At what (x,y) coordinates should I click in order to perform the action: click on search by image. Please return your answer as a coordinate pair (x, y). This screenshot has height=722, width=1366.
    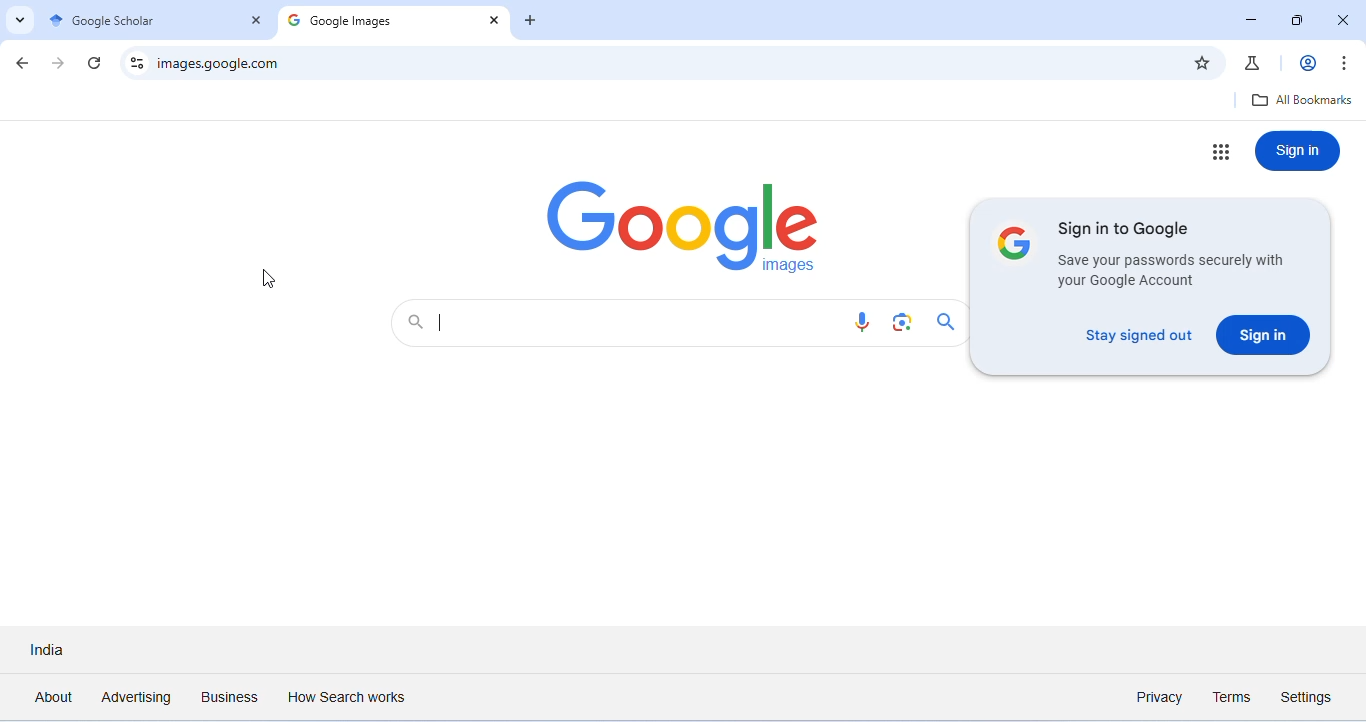
    Looking at the image, I should click on (902, 322).